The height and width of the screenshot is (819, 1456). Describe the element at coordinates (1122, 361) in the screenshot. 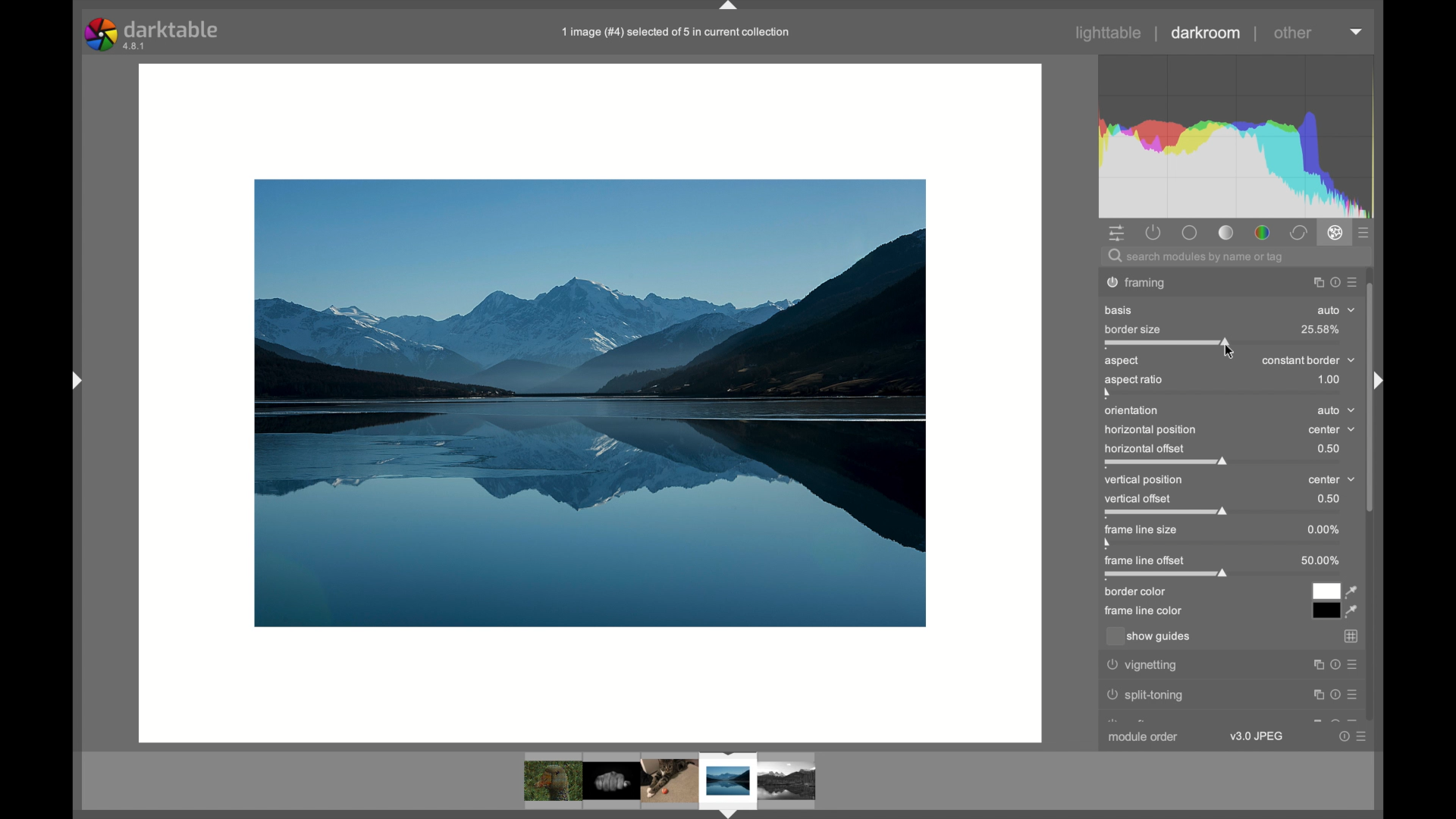

I see `aspect` at that location.